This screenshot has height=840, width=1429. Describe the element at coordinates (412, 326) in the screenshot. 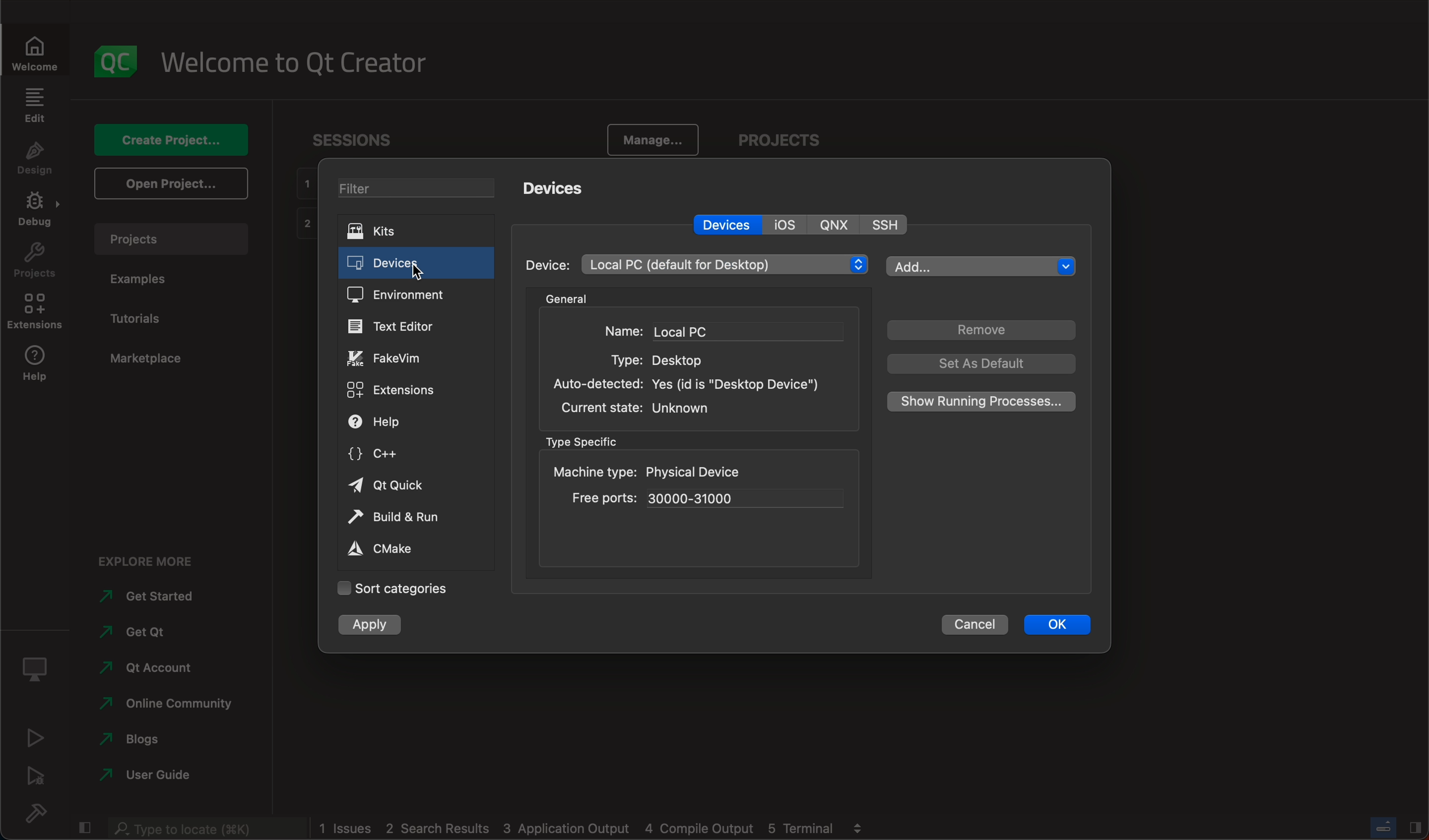

I see `text editor` at that location.